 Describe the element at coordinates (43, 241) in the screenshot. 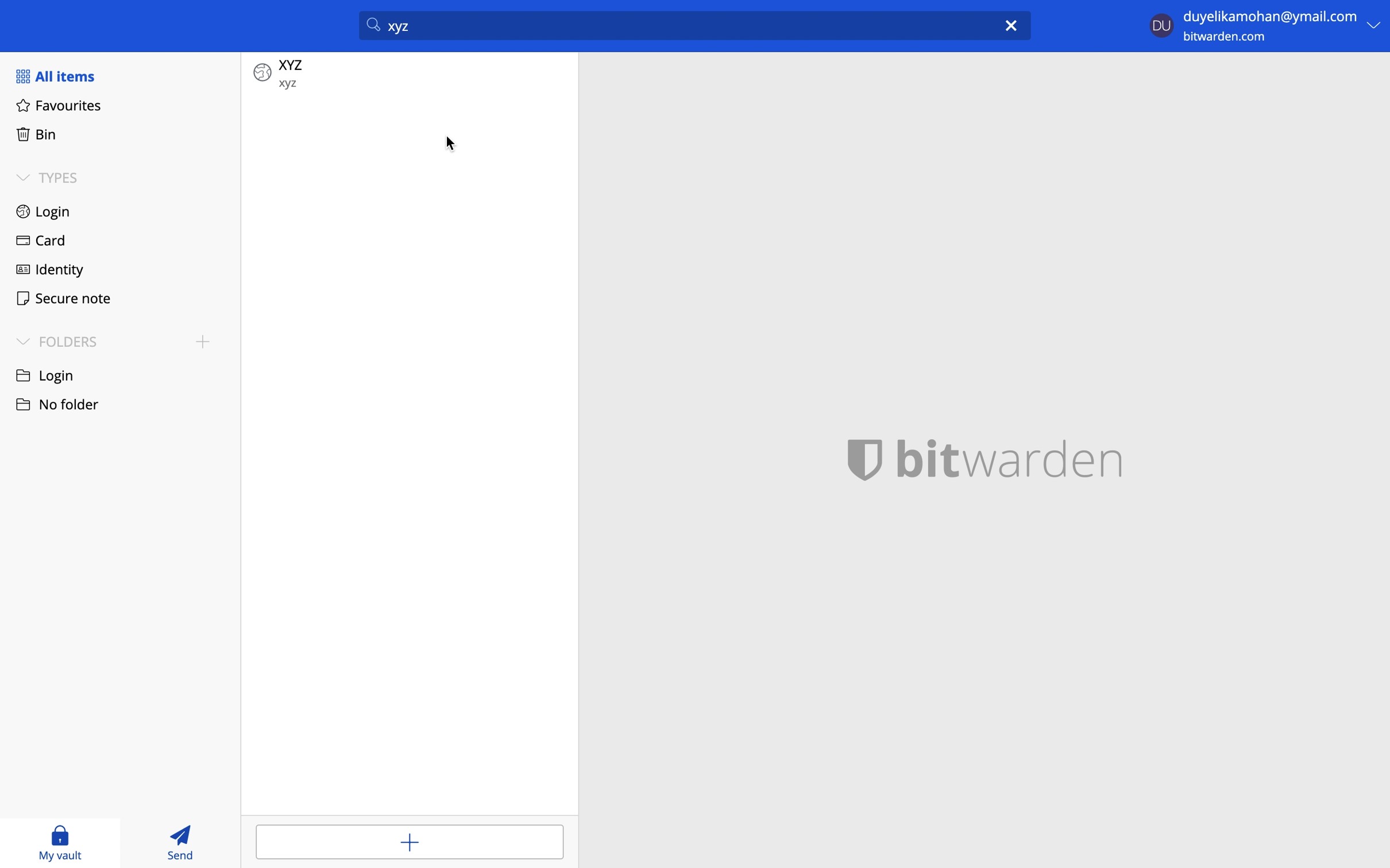

I see `card` at that location.